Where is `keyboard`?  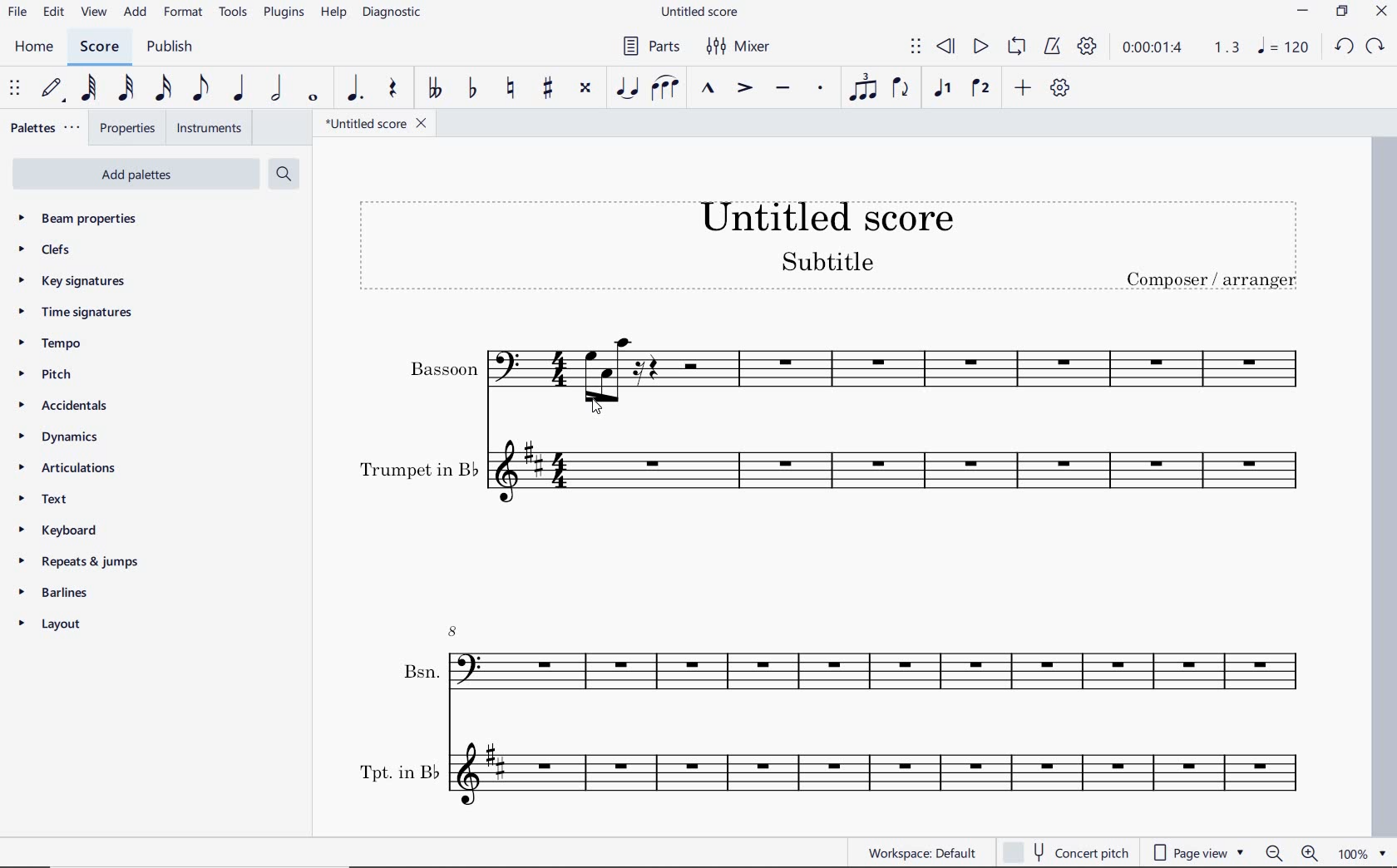
keyboard is located at coordinates (62, 529).